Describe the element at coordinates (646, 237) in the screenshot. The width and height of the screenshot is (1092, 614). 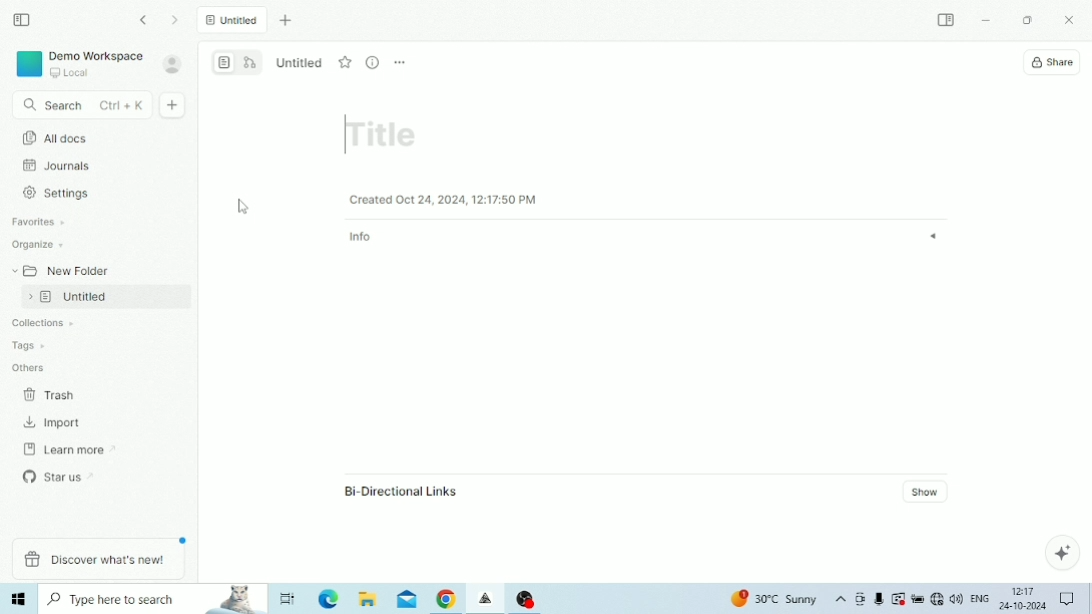
I see `Info` at that location.